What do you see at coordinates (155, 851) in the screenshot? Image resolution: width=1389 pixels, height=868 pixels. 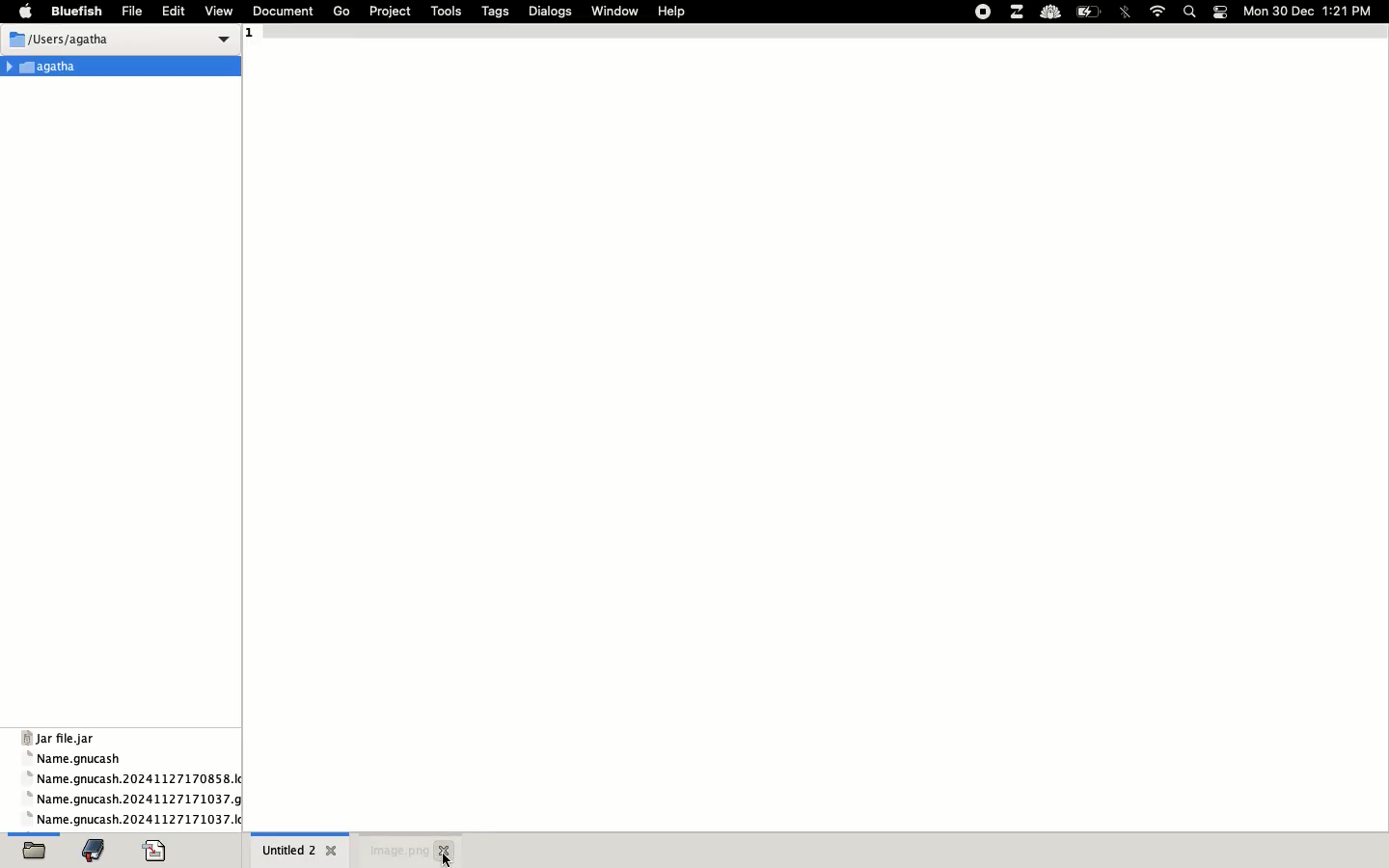 I see `code` at bounding box center [155, 851].